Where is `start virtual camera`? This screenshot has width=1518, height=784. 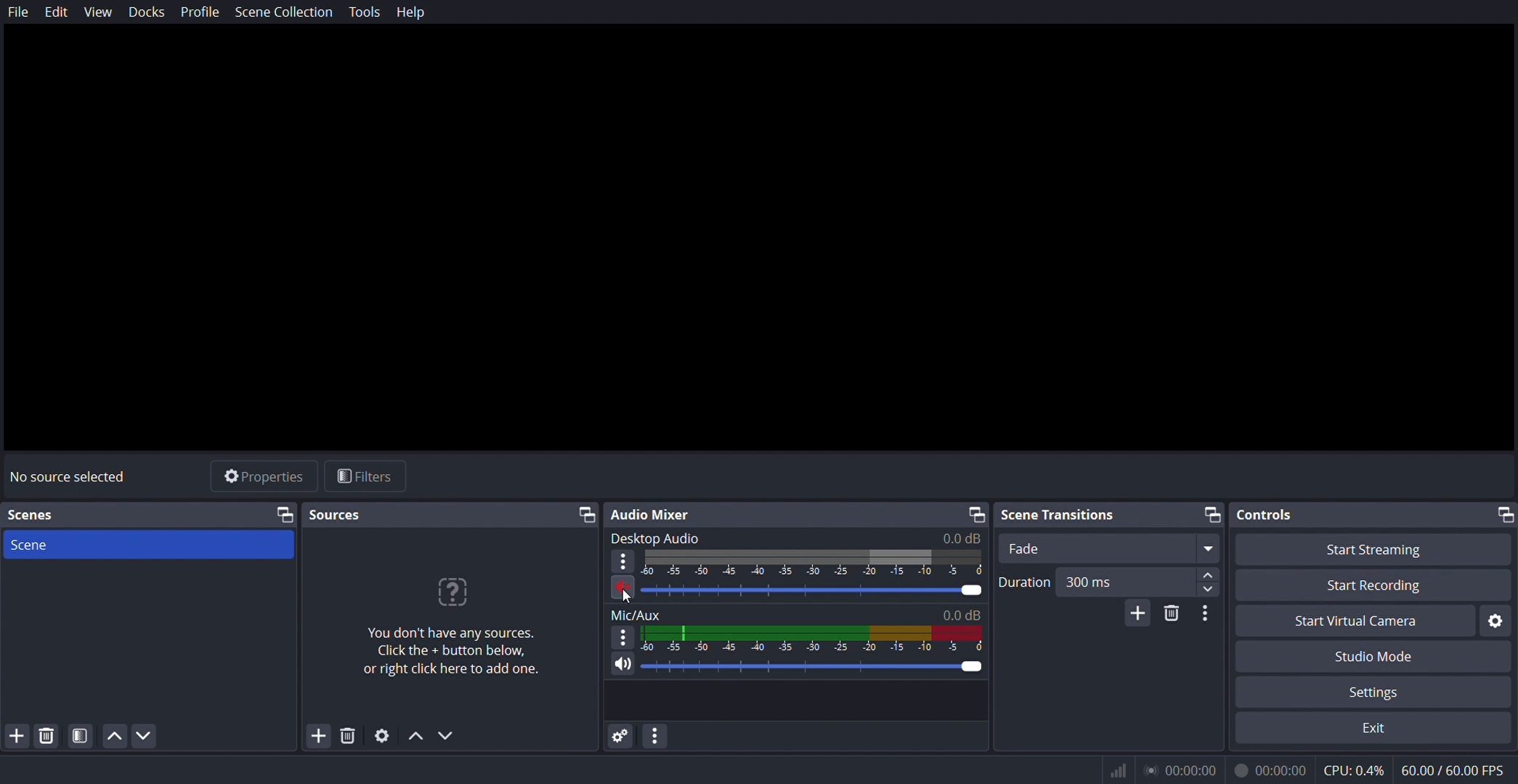
start virtual camera is located at coordinates (1497, 621).